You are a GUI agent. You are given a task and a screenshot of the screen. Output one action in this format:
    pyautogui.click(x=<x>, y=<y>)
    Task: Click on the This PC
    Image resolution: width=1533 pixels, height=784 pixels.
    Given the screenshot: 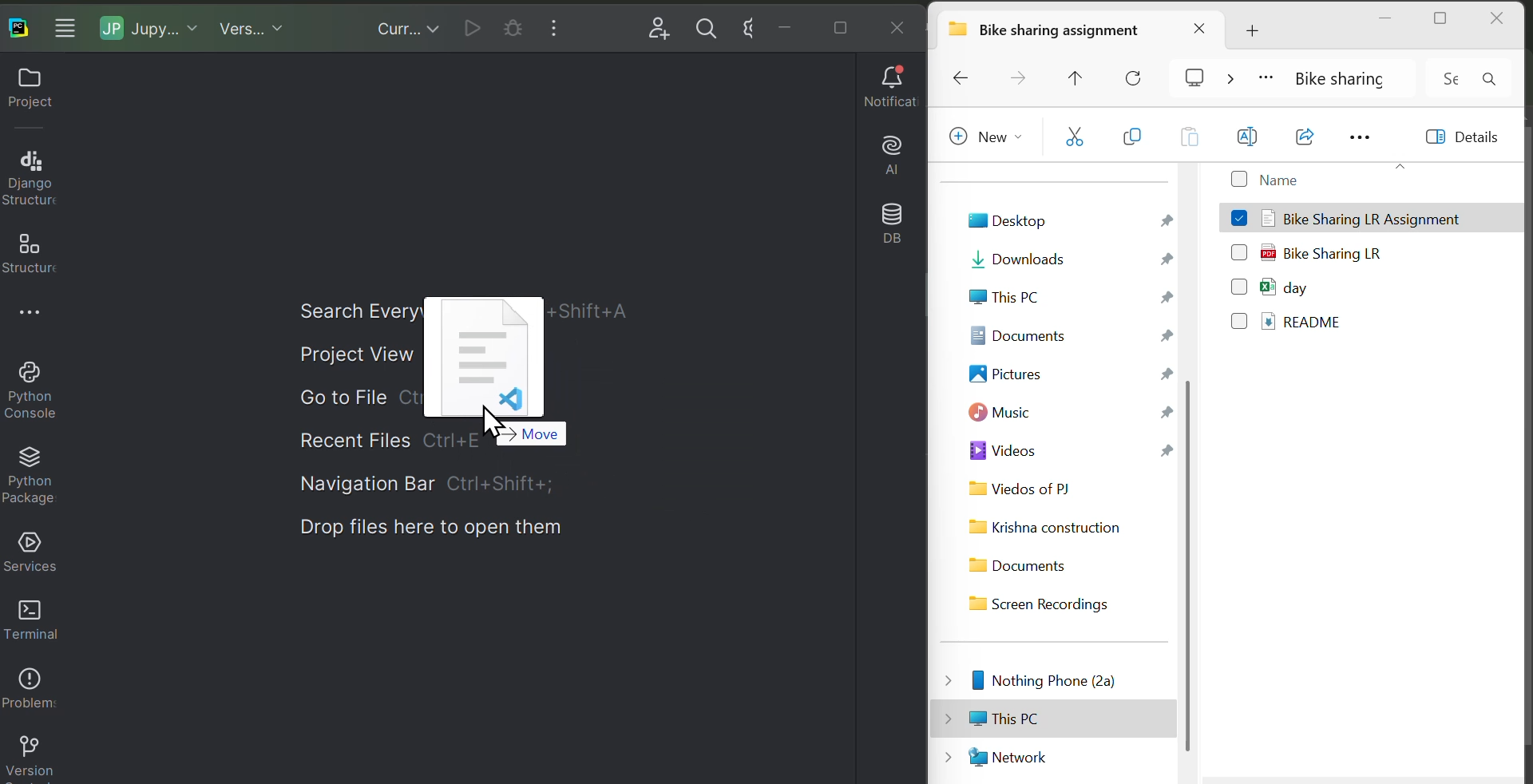 What is the action you would take?
    pyautogui.click(x=1067, y=299)
    